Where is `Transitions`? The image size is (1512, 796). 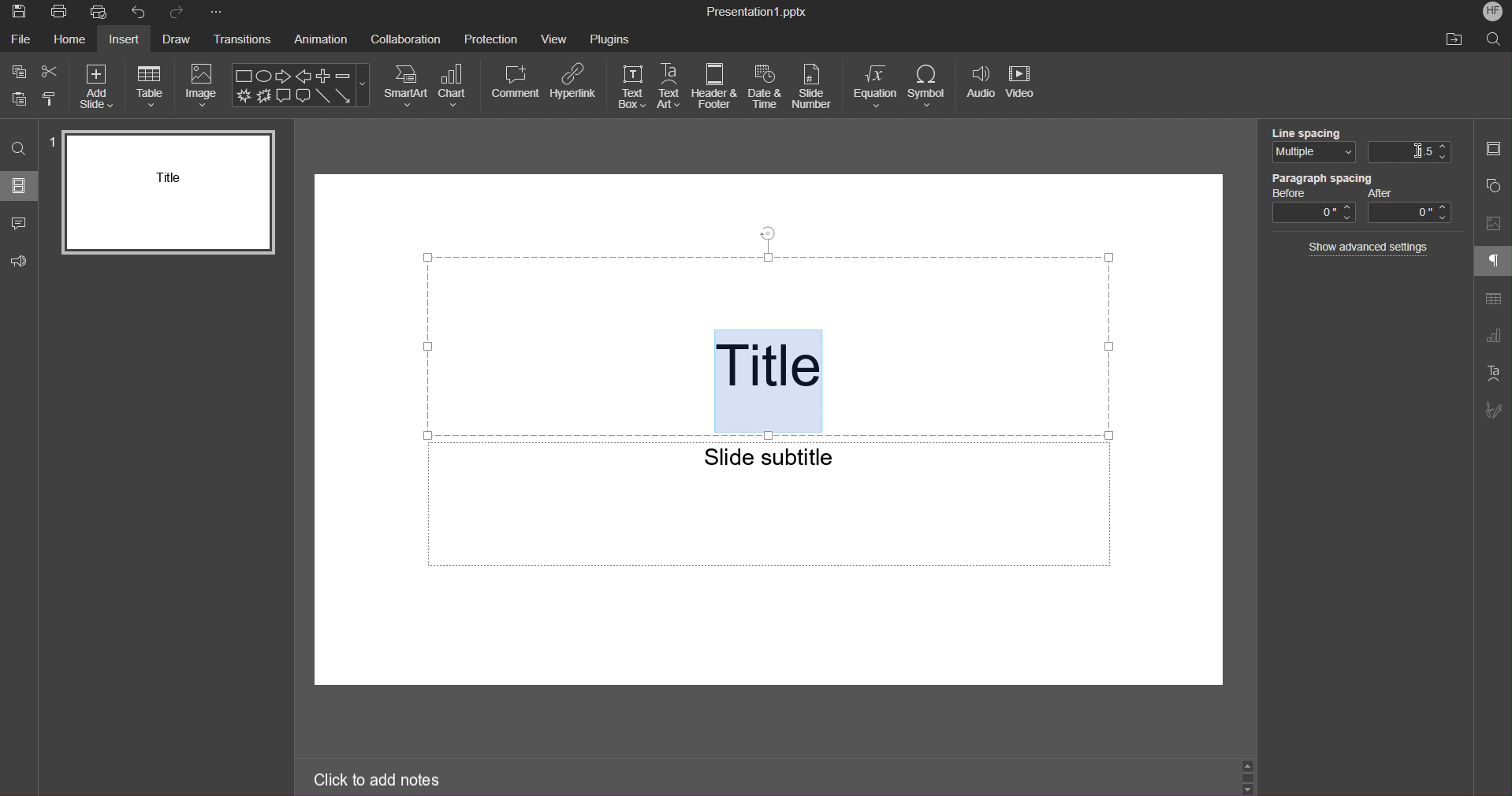 Transitions is located at coordinates (242, 41).